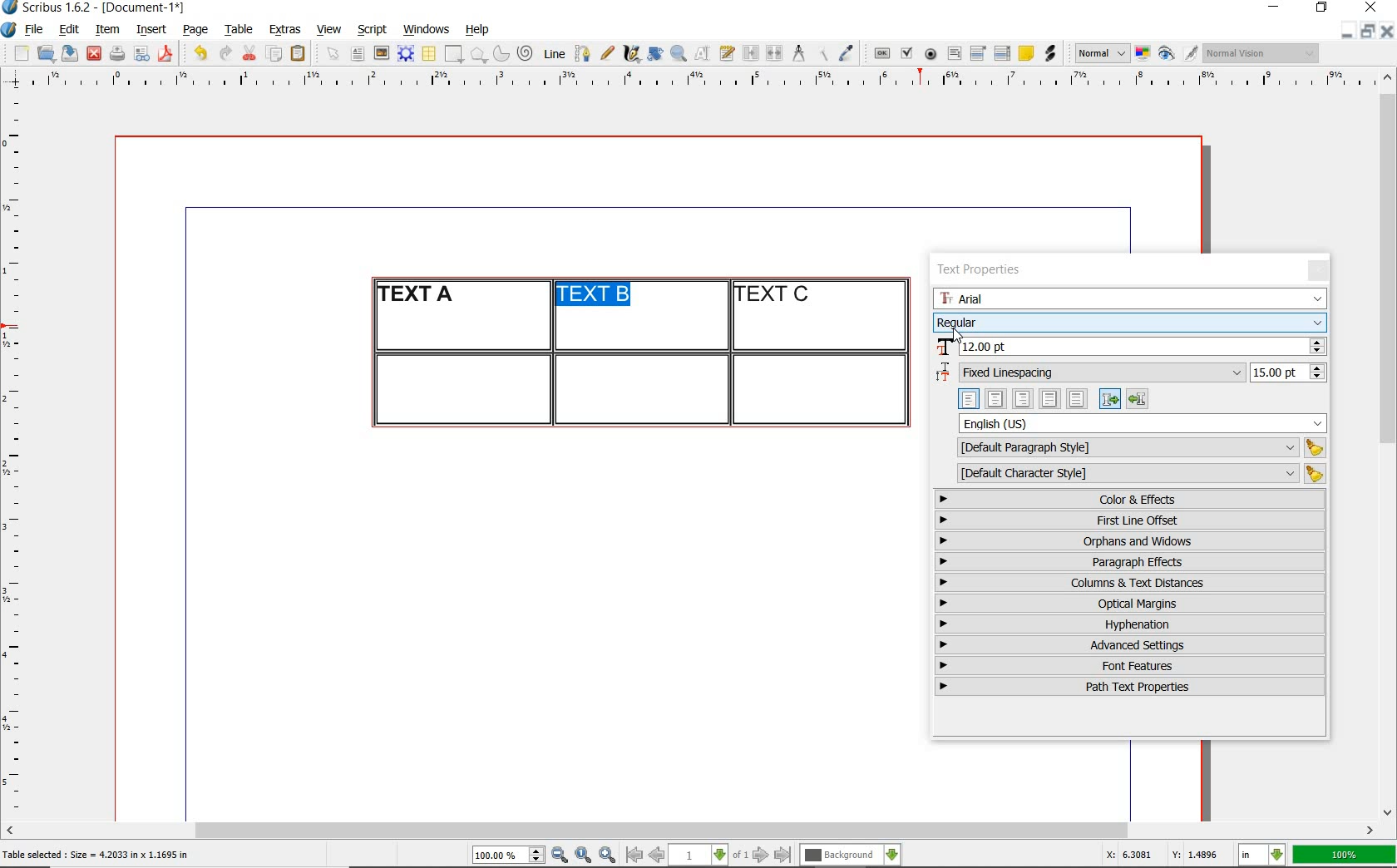 The image size is (1397, 868). What do you see at coordinates (1136, 474) in the screenshot?
I see `default character style` at bounding box center [1136, 474].